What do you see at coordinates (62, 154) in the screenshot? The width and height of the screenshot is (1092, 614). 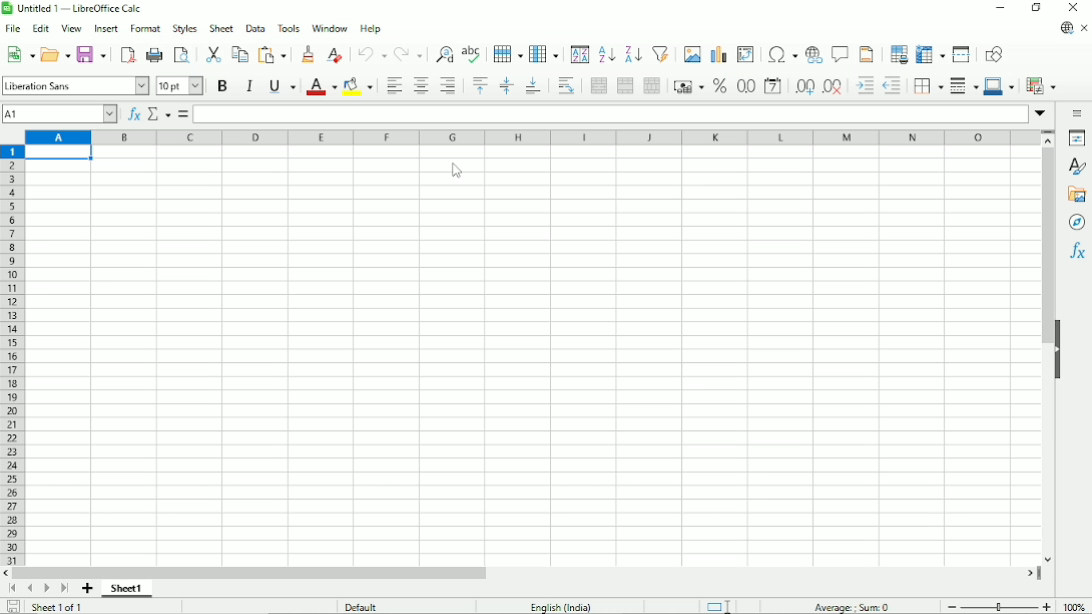 I see `Active cell` at bounding box center [62, 154].